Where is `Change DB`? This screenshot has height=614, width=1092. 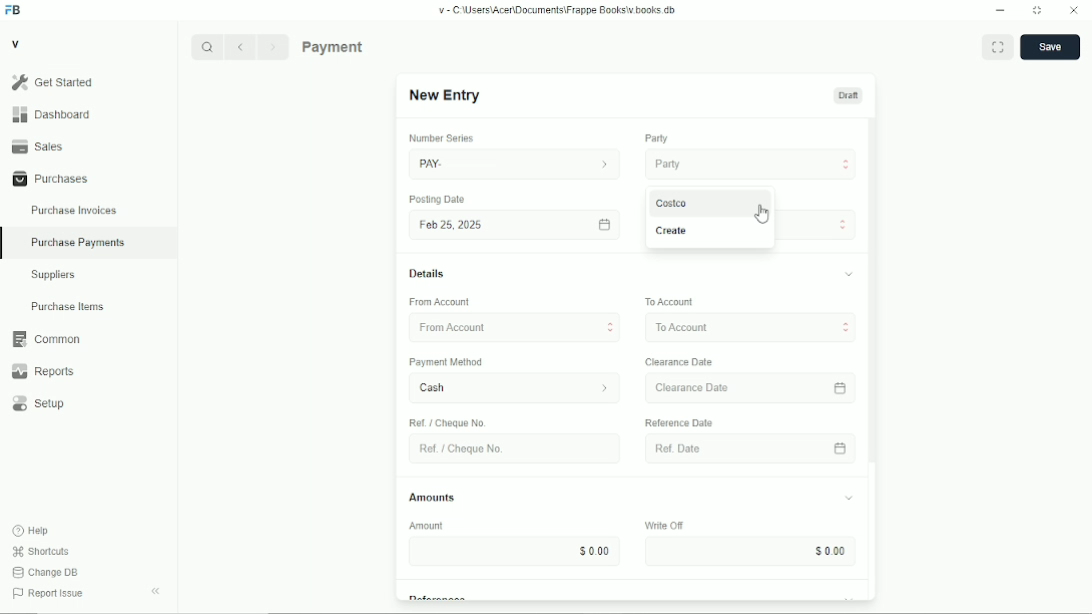
Change DB is located at coordinates (46, 573).